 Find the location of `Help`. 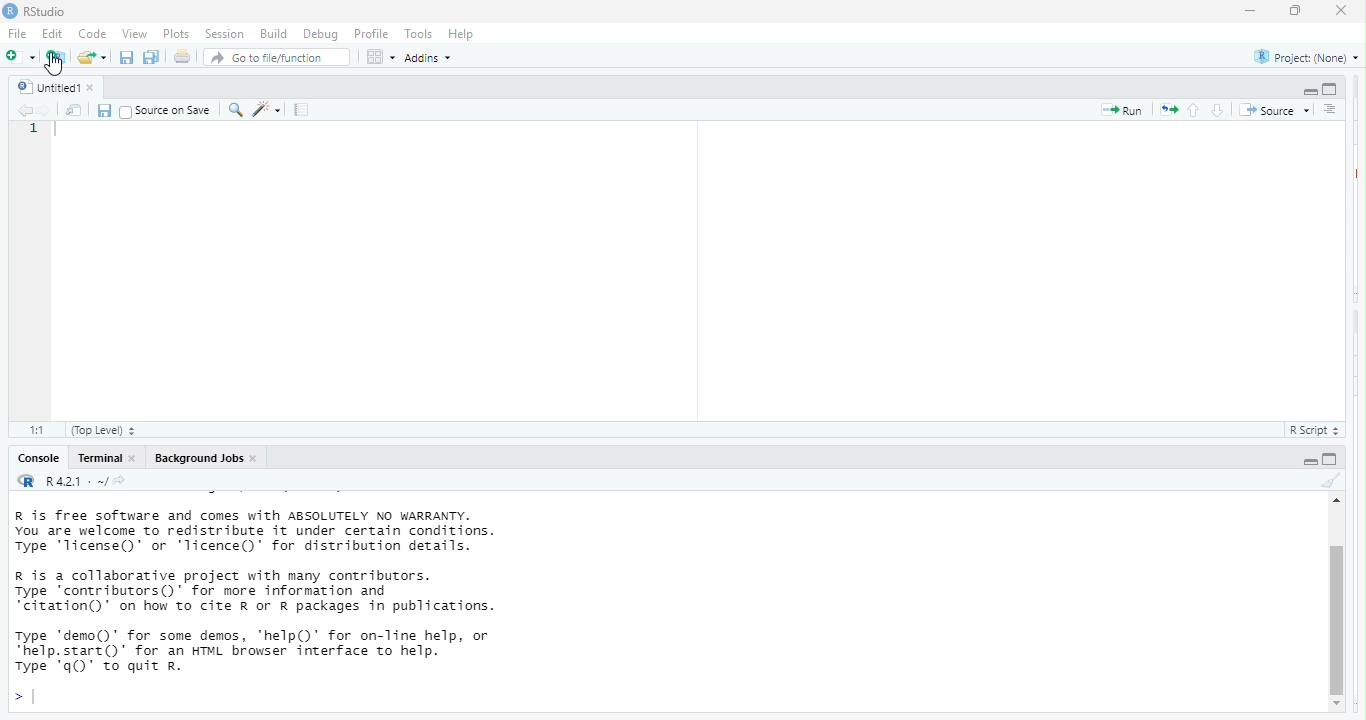

Help is located at coordinates (463, 33).